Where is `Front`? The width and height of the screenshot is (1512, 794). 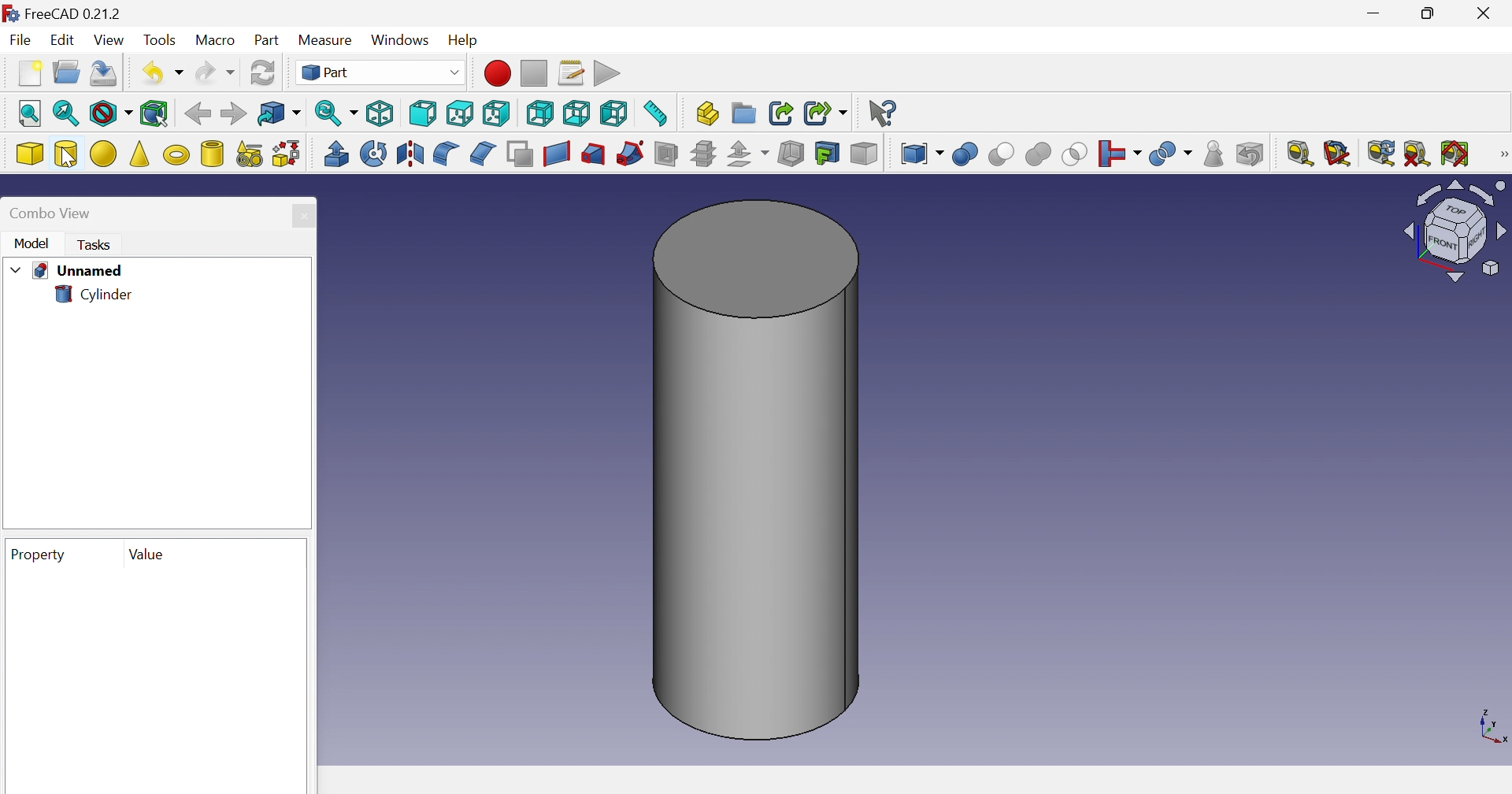 Front is located at coordinates (421, 113).